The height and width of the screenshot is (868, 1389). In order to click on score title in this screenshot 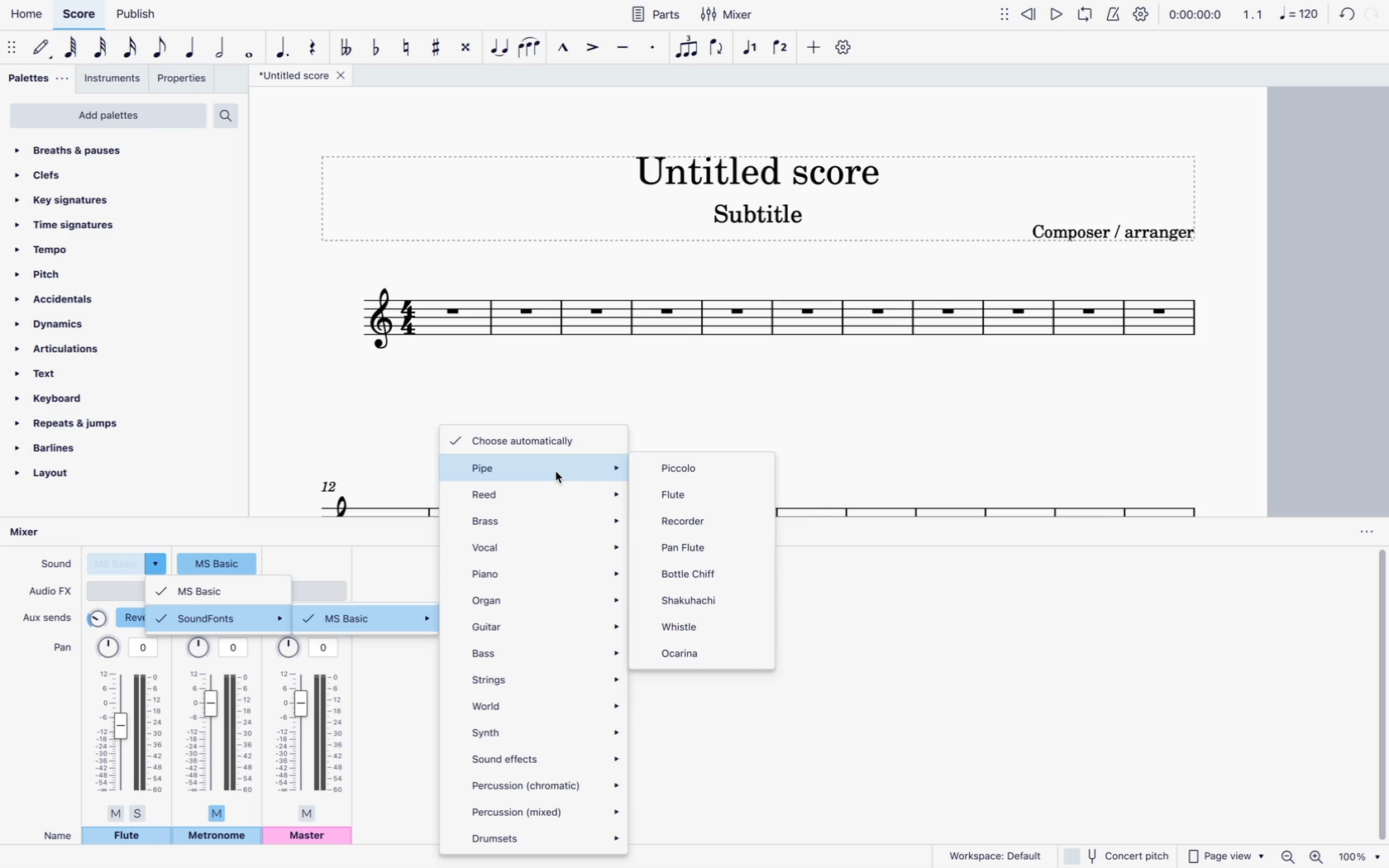, I will do `click(305, 75)`.